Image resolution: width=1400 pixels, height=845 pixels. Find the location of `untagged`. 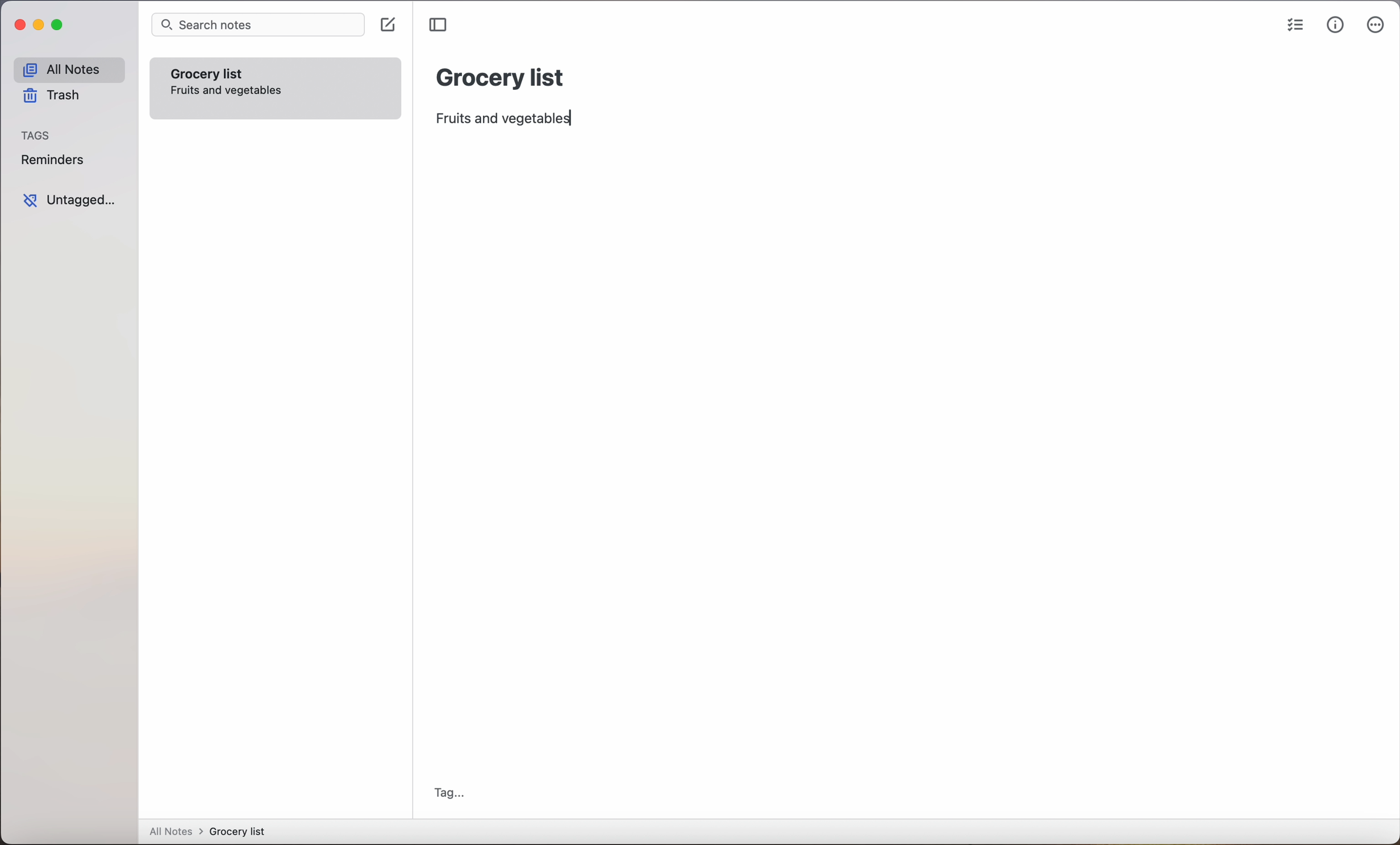

untagged is located at coordinates (69, 200).